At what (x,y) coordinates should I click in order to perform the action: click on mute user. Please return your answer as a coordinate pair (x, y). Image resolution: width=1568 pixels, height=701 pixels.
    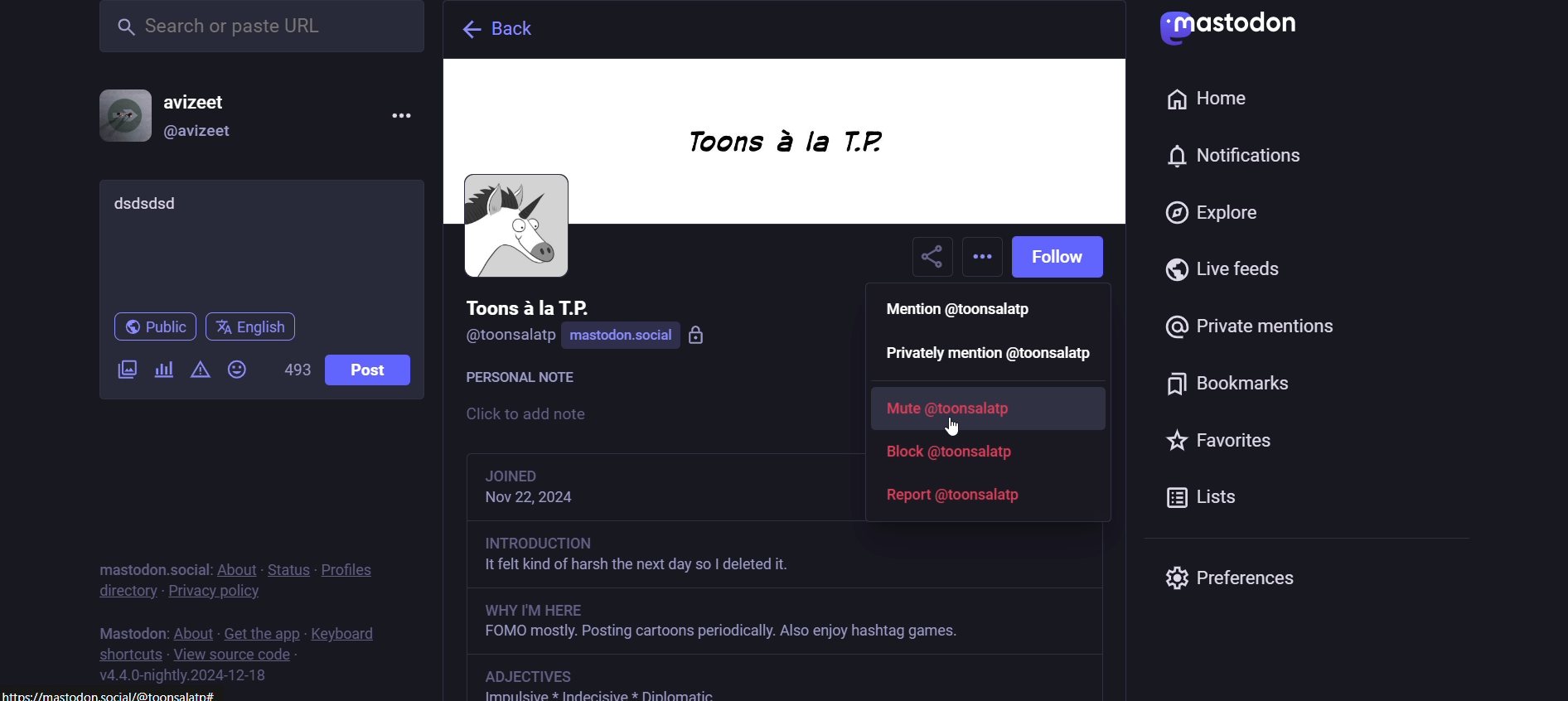
    Looking at the image, I should click on (965, 411).